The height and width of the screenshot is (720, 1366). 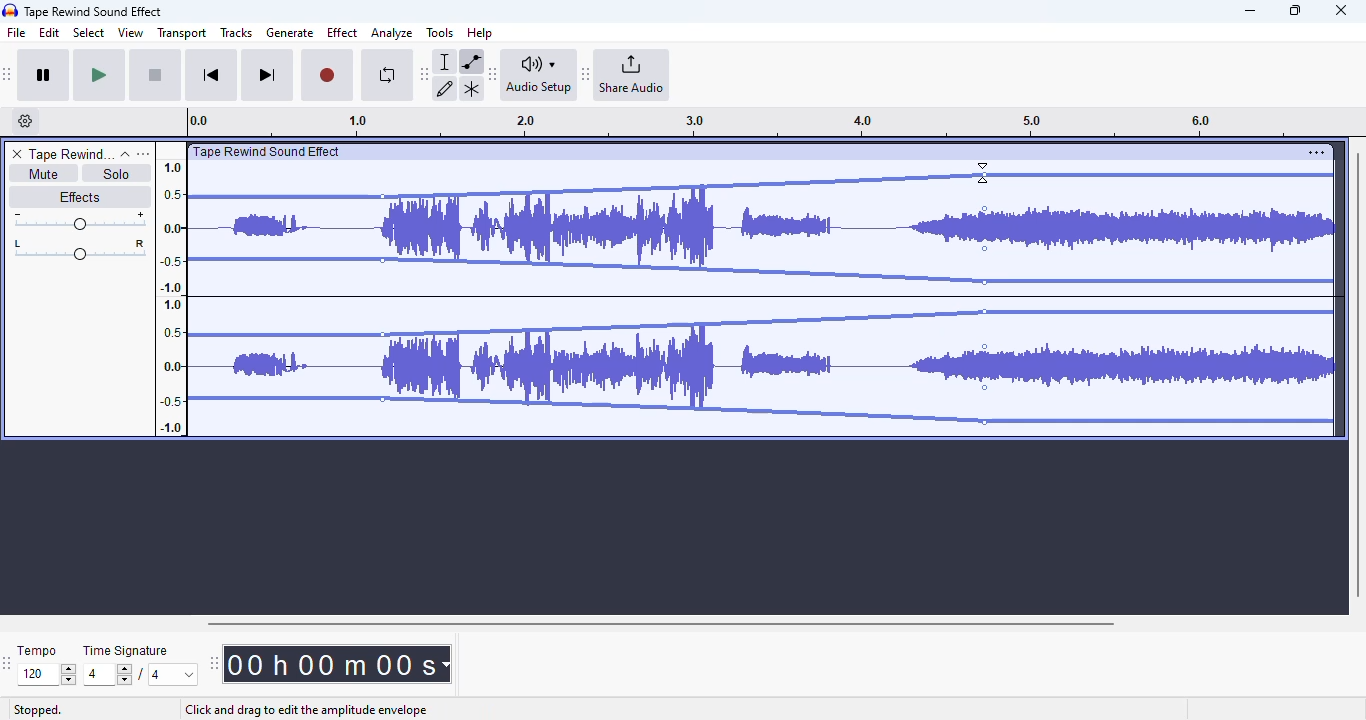 What do you see at coordinates (131, 33) in the screenshot?
I see `view` at bounding box center [131, 33].